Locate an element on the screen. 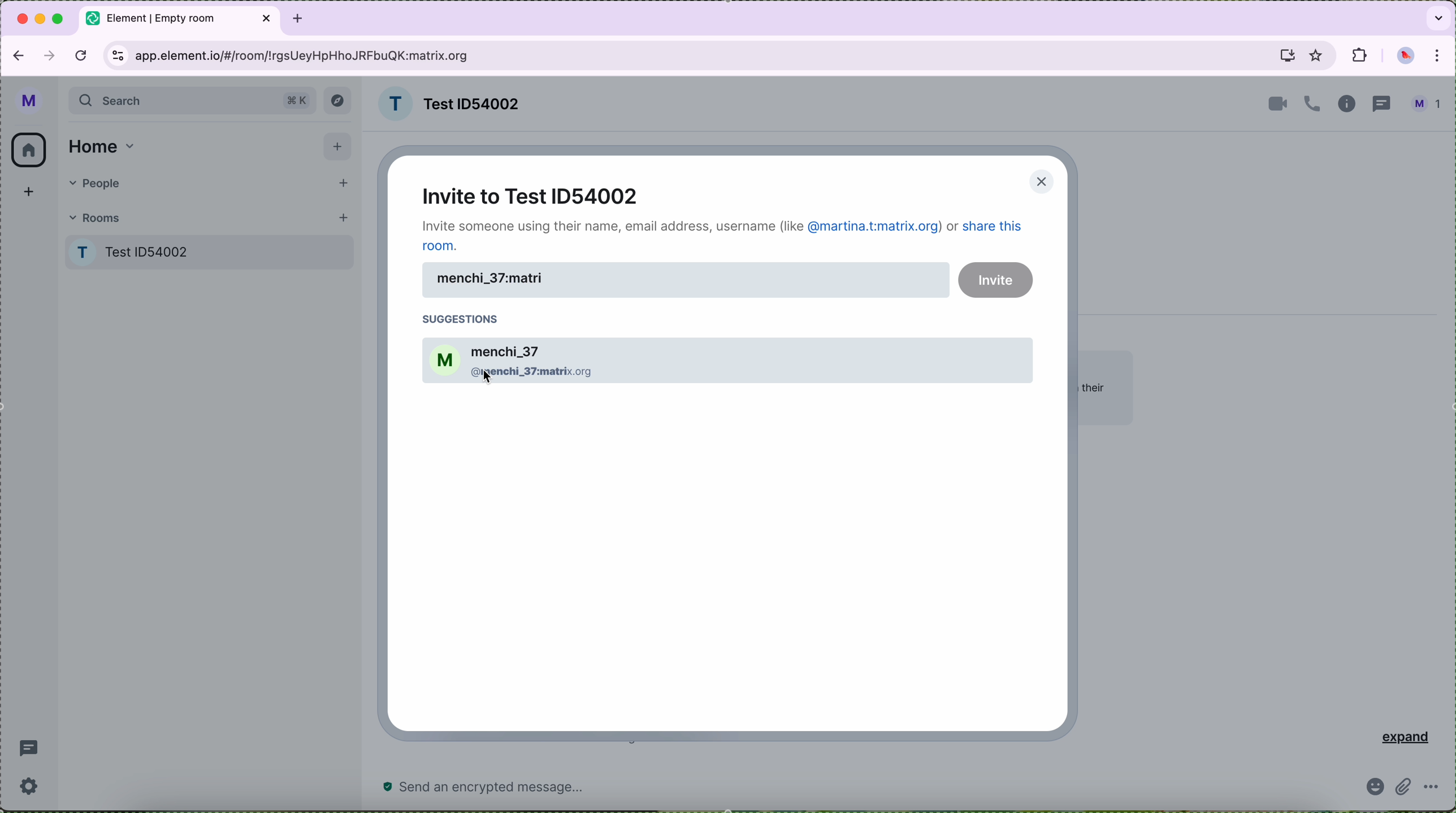  attach file is located at coordinates (1407, 790).